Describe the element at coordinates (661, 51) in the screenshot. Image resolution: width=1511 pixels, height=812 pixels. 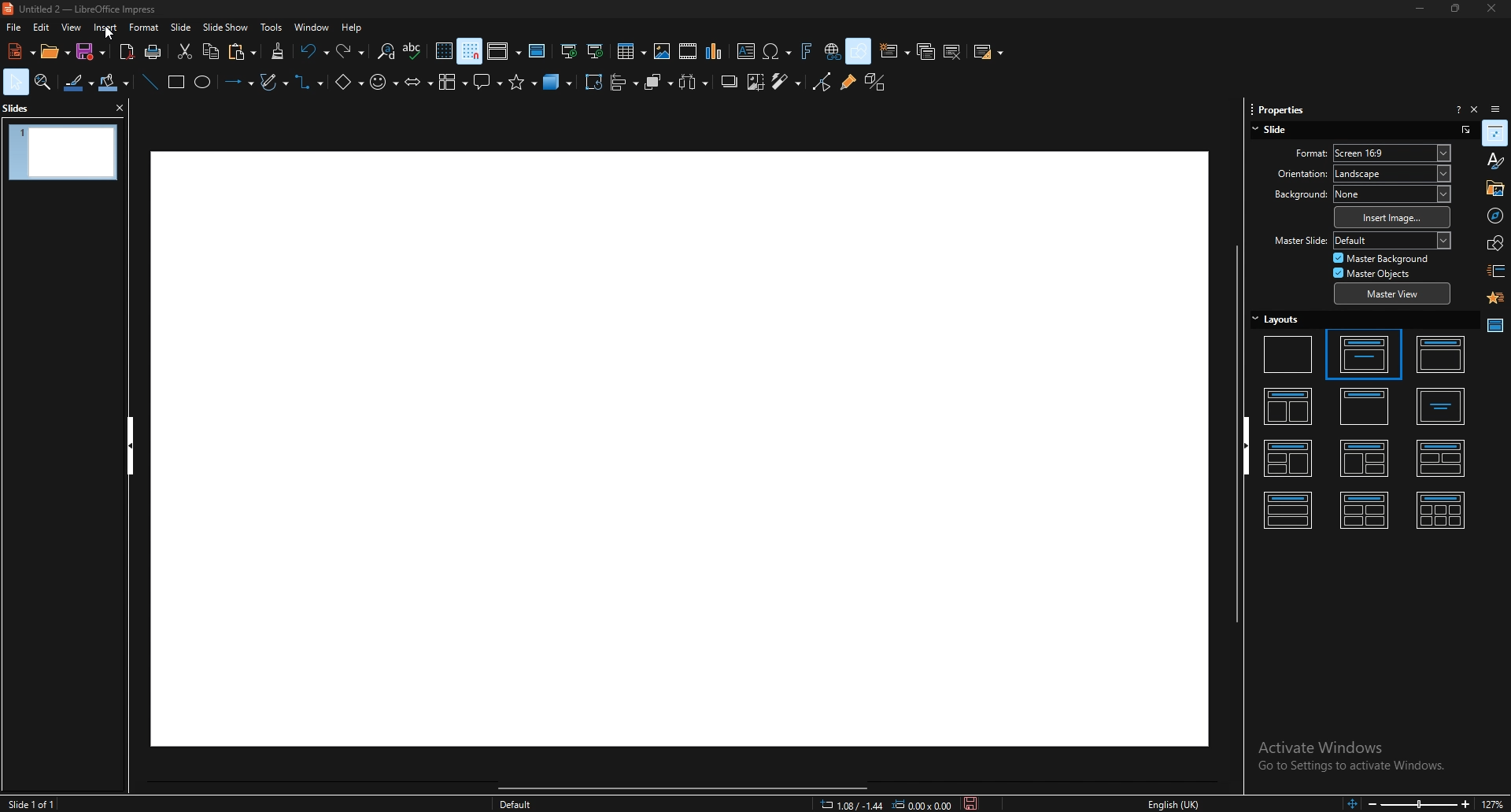
I see `insert image` at that location.